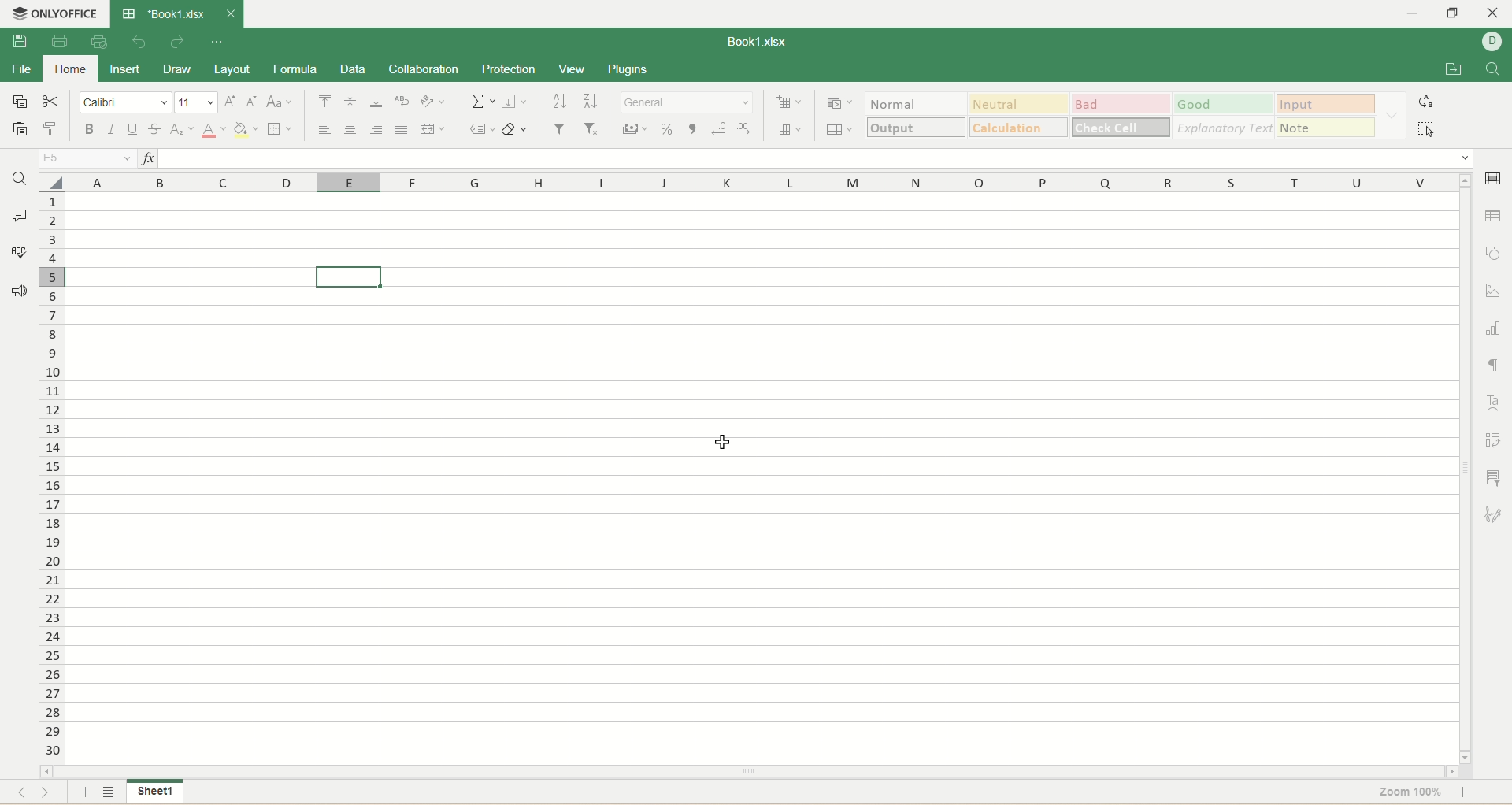 The width and height of the screenshot is (1512, 805). Describe the element at coordinates (402, 101) in the screenshot. I see `wrap text` at that location.